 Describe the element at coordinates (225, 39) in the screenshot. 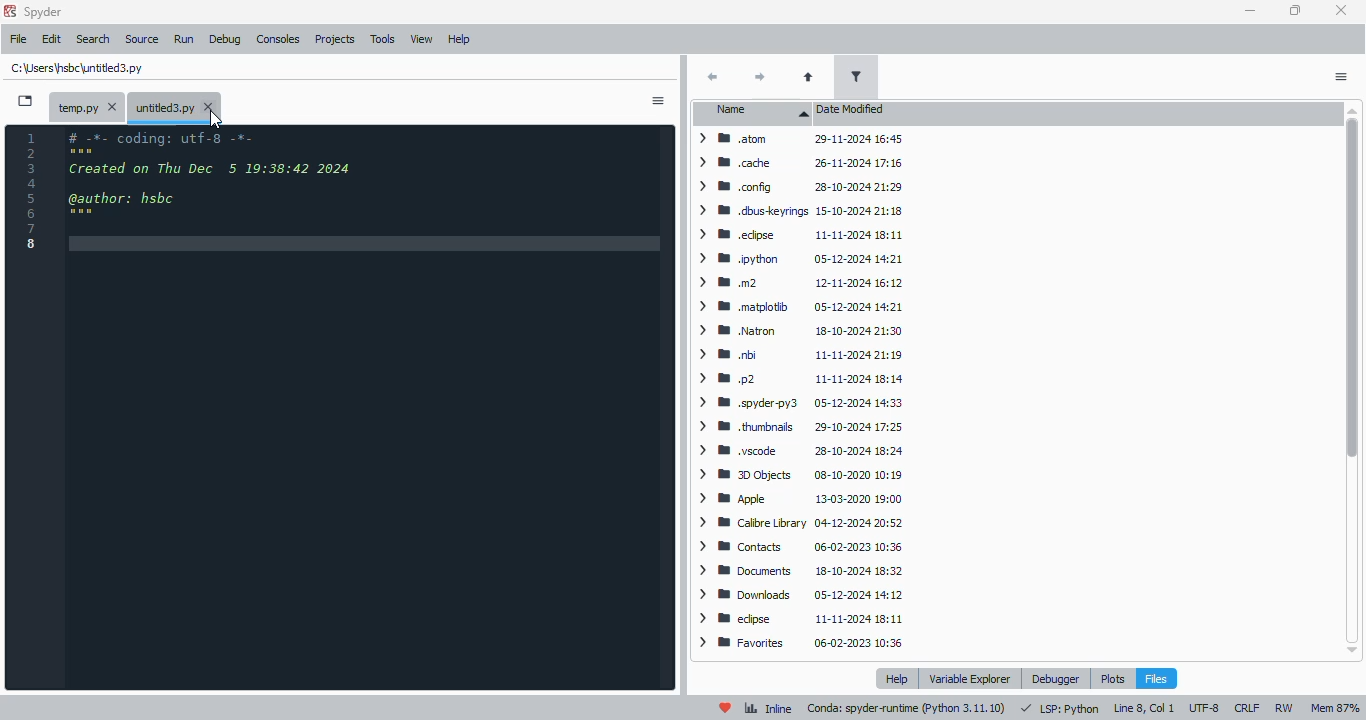

I see `debug` at that location.